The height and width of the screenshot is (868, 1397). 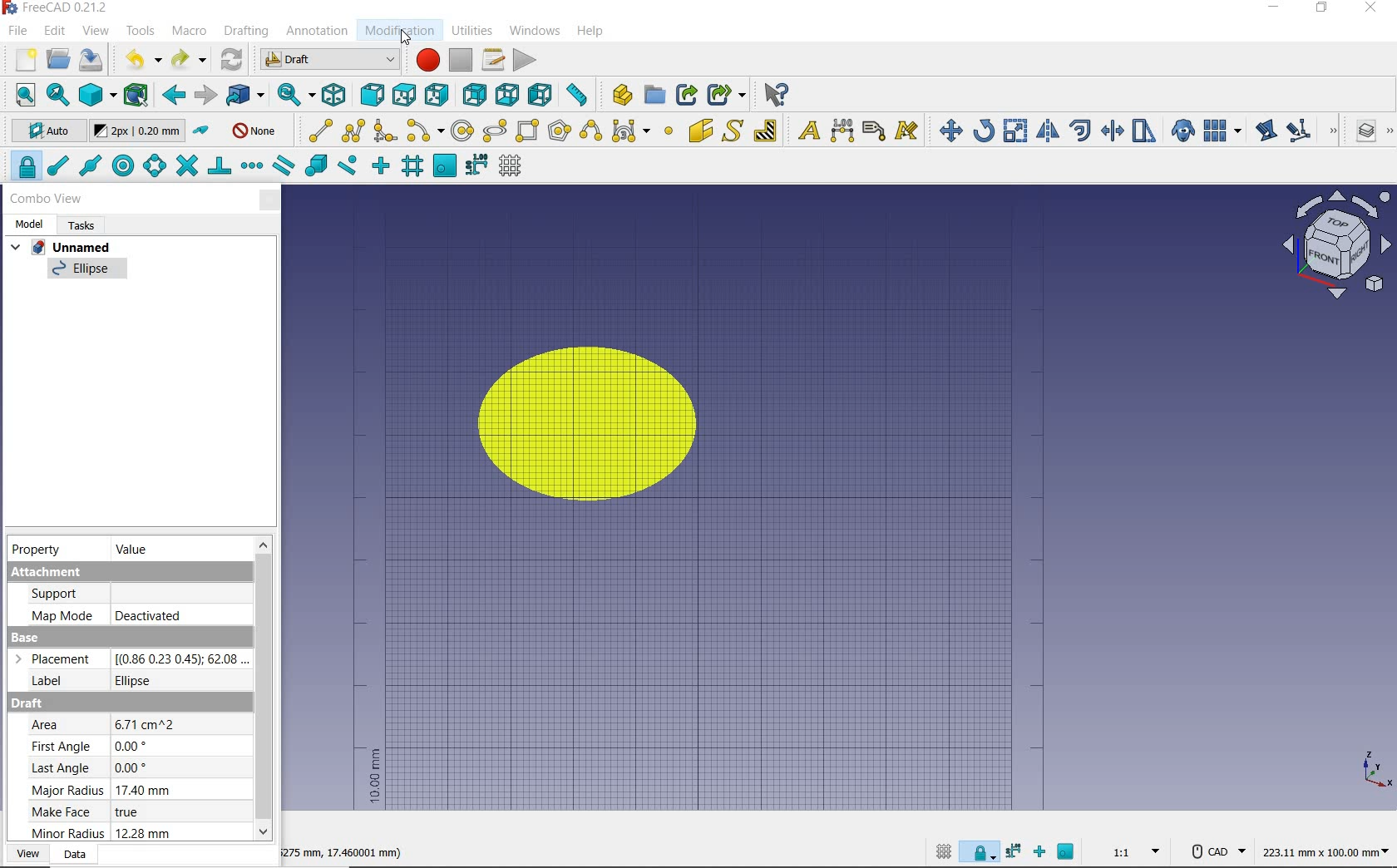 What do you see at coordinates (1131, 852) in the screenshot?
I see `set scale` at bounding box center [1131, 852].